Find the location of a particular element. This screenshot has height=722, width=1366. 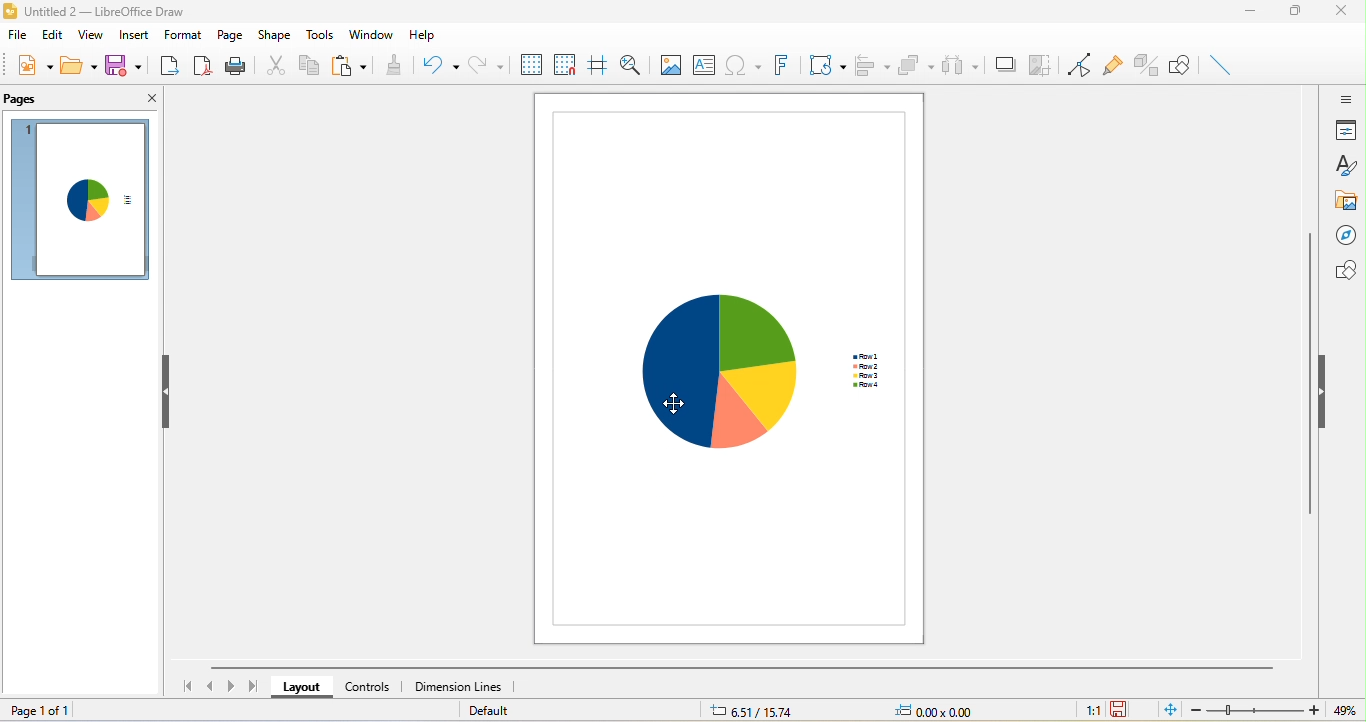

zoom is located at coordinates (1276, 710).